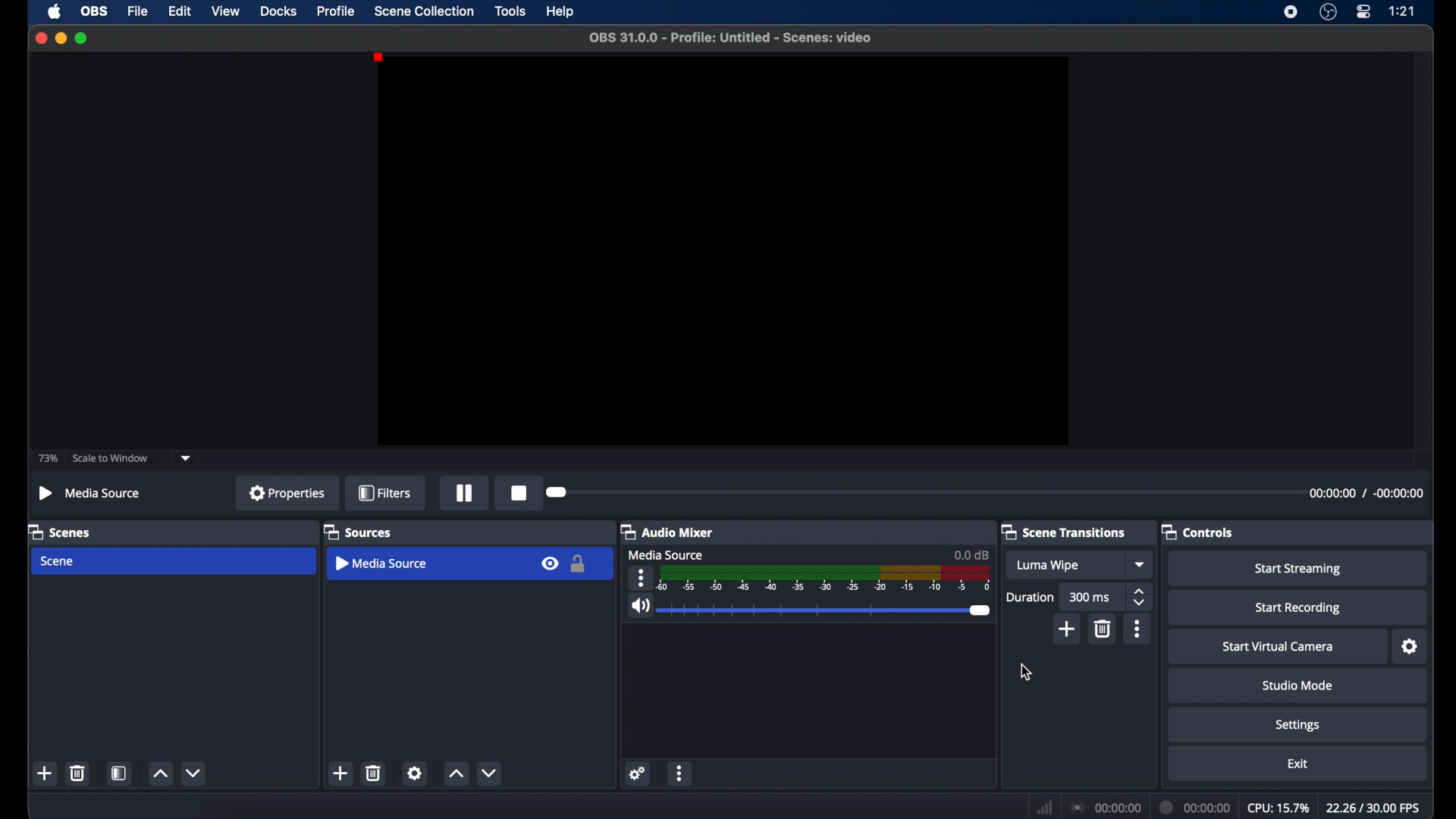 The height and width of the screenshot is (819, 1456). I want to click on scene collection, so click(422, 11).